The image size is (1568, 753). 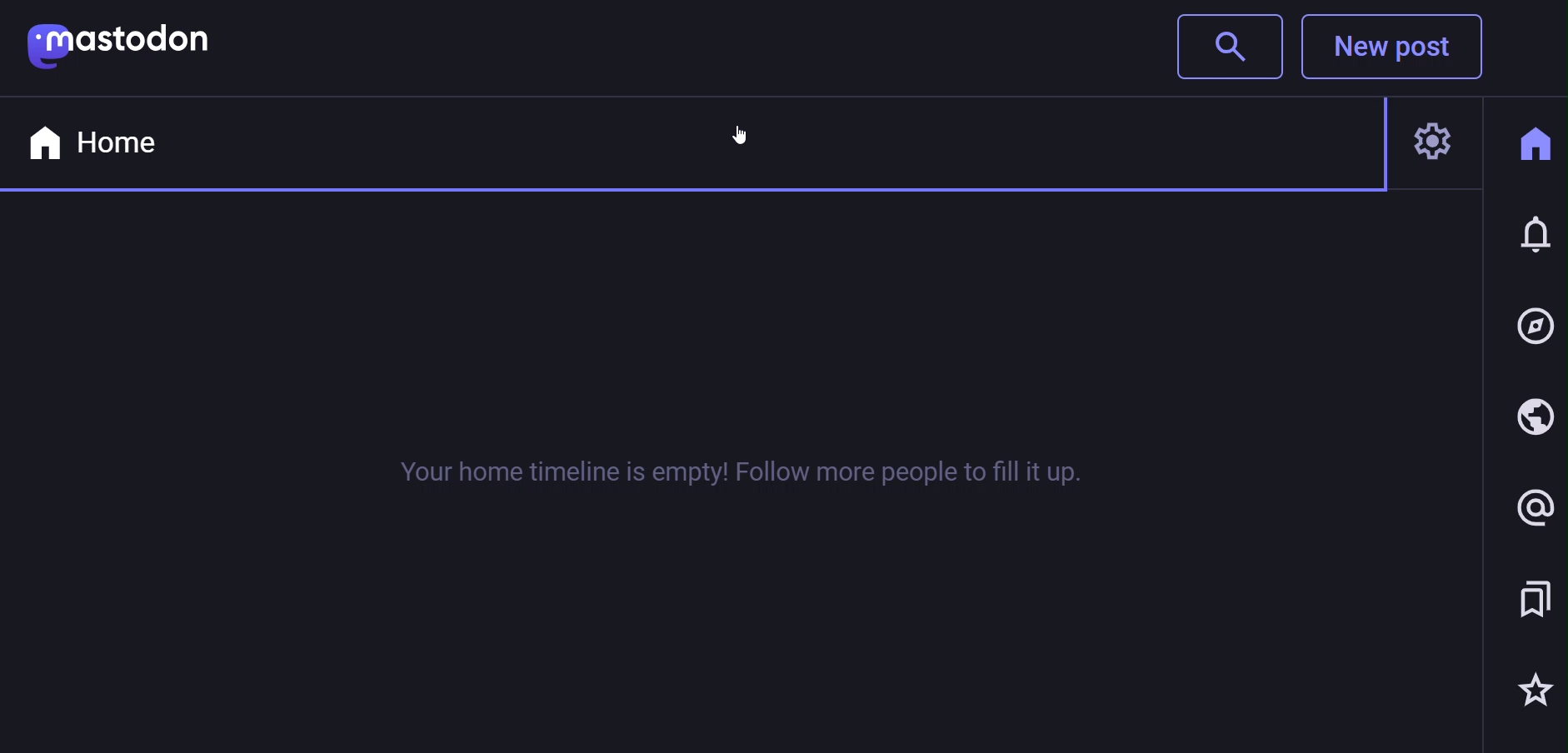 I want to click on mastodon, so click(x=121, y=44).